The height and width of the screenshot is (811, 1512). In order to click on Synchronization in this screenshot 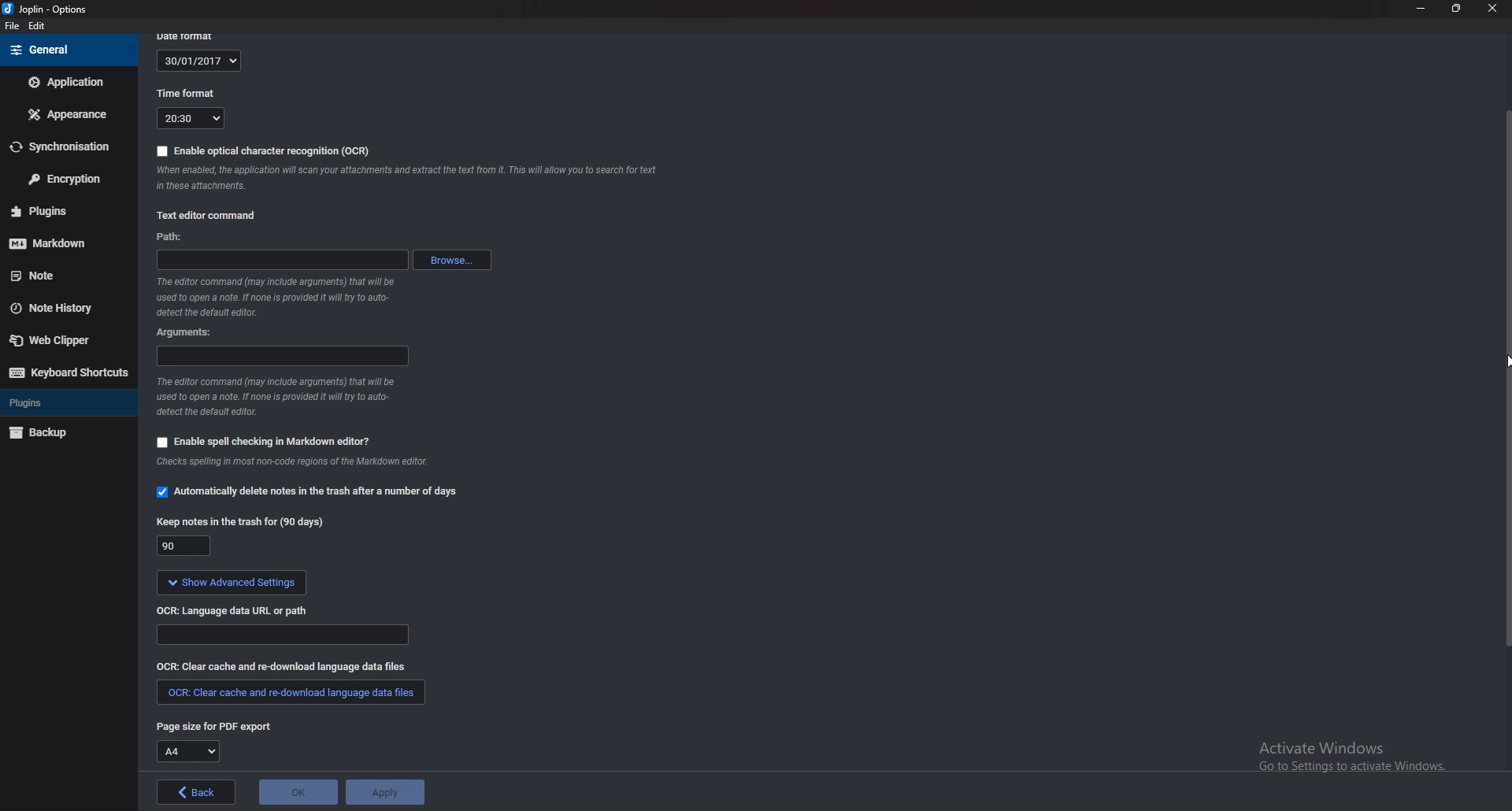, I will do `click(62, 146)`.